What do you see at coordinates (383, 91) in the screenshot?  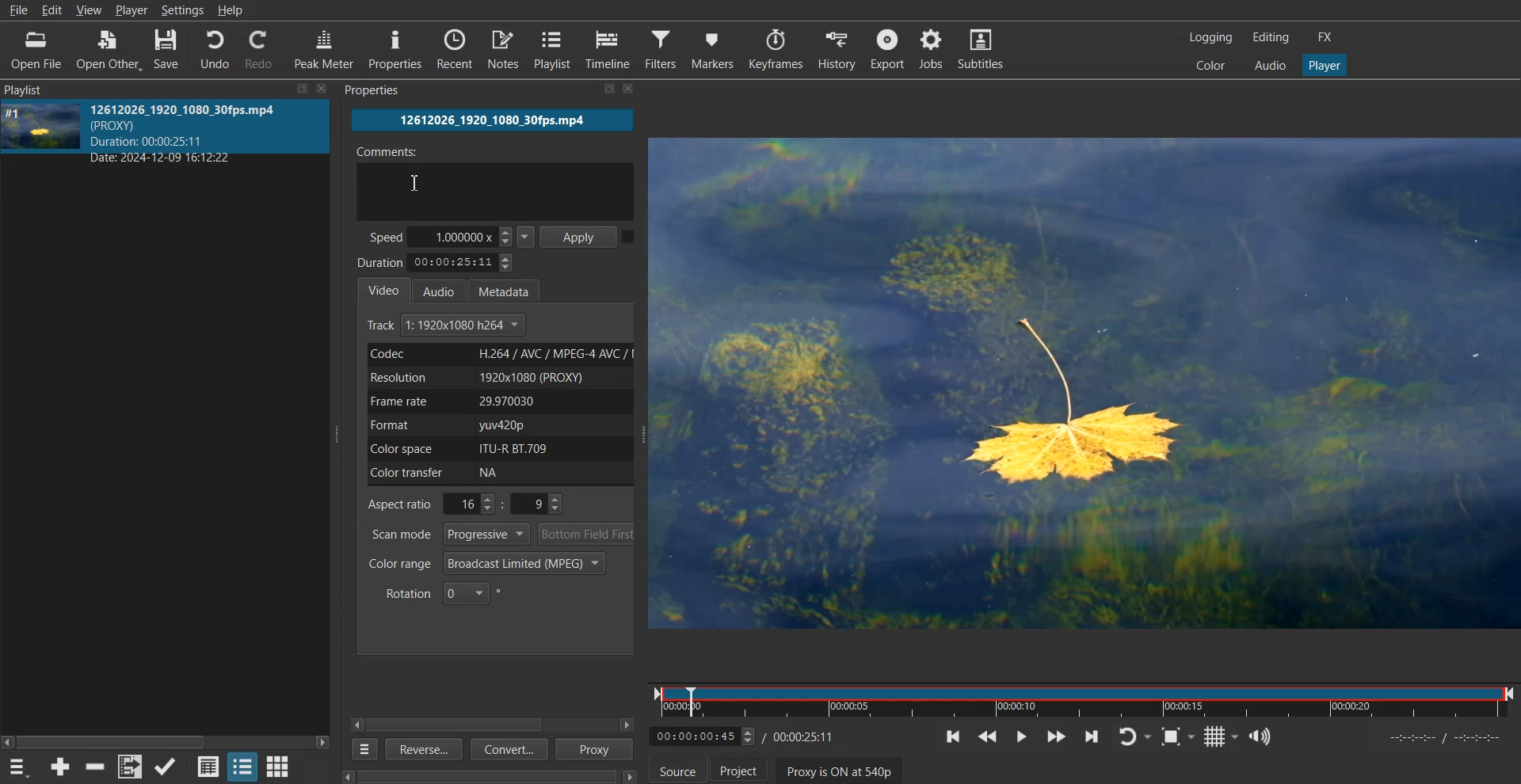 I see `Properties Panel` at bounding box center [383, 91].